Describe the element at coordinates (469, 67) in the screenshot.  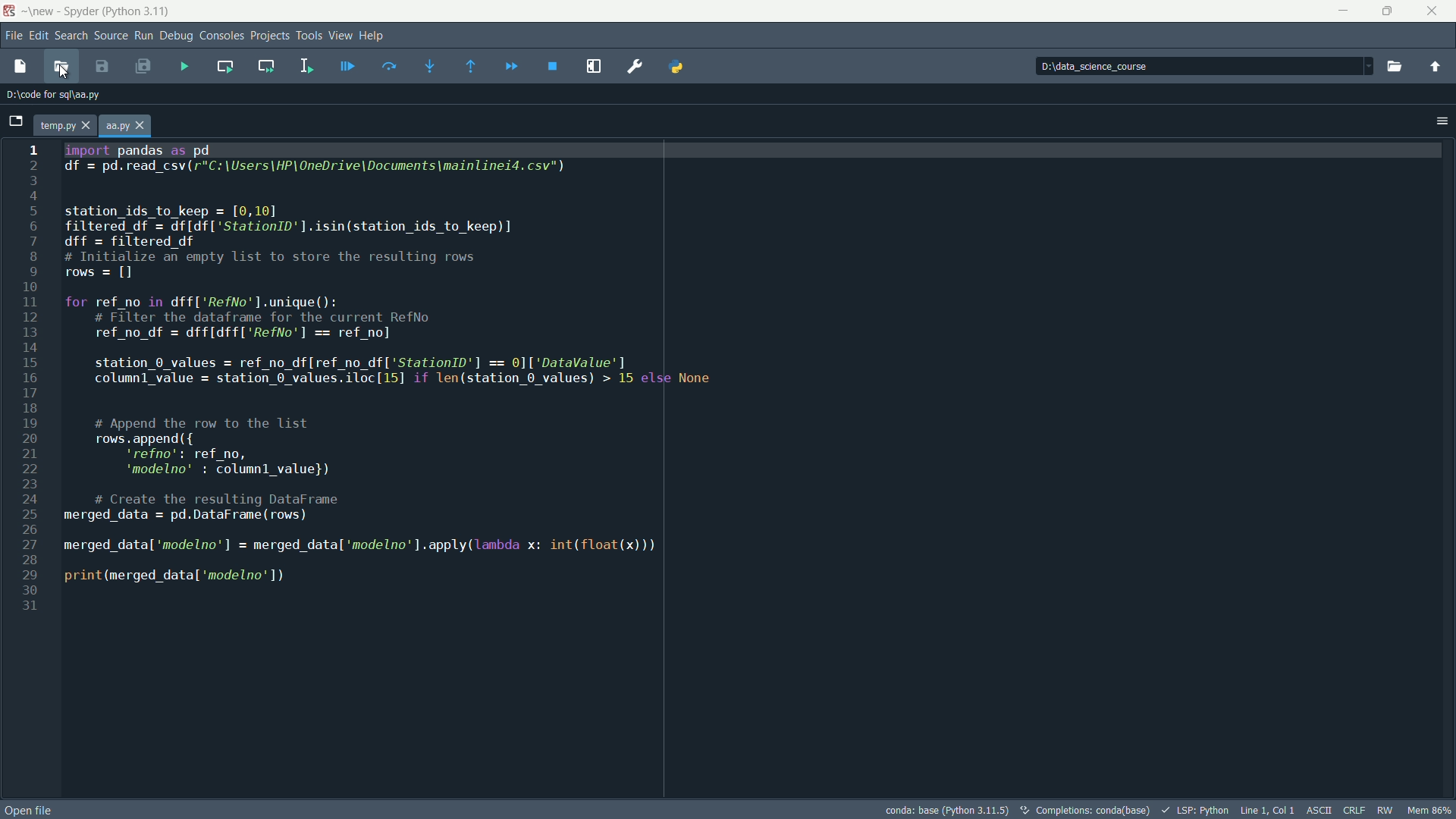
I see `Execute until function or method returns` at that location.